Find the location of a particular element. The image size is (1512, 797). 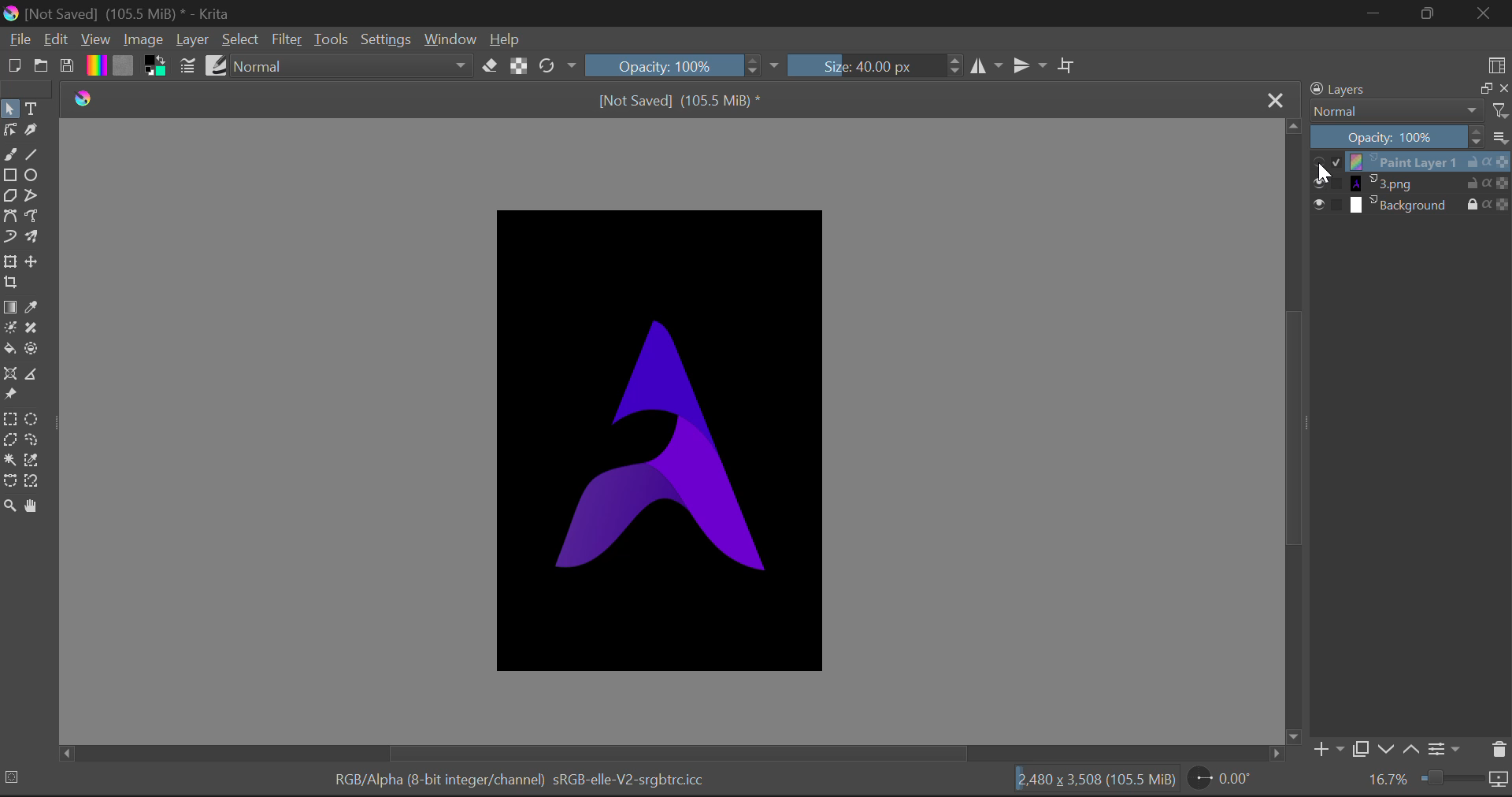

Brush Presets is located at coordinates (217, 67).